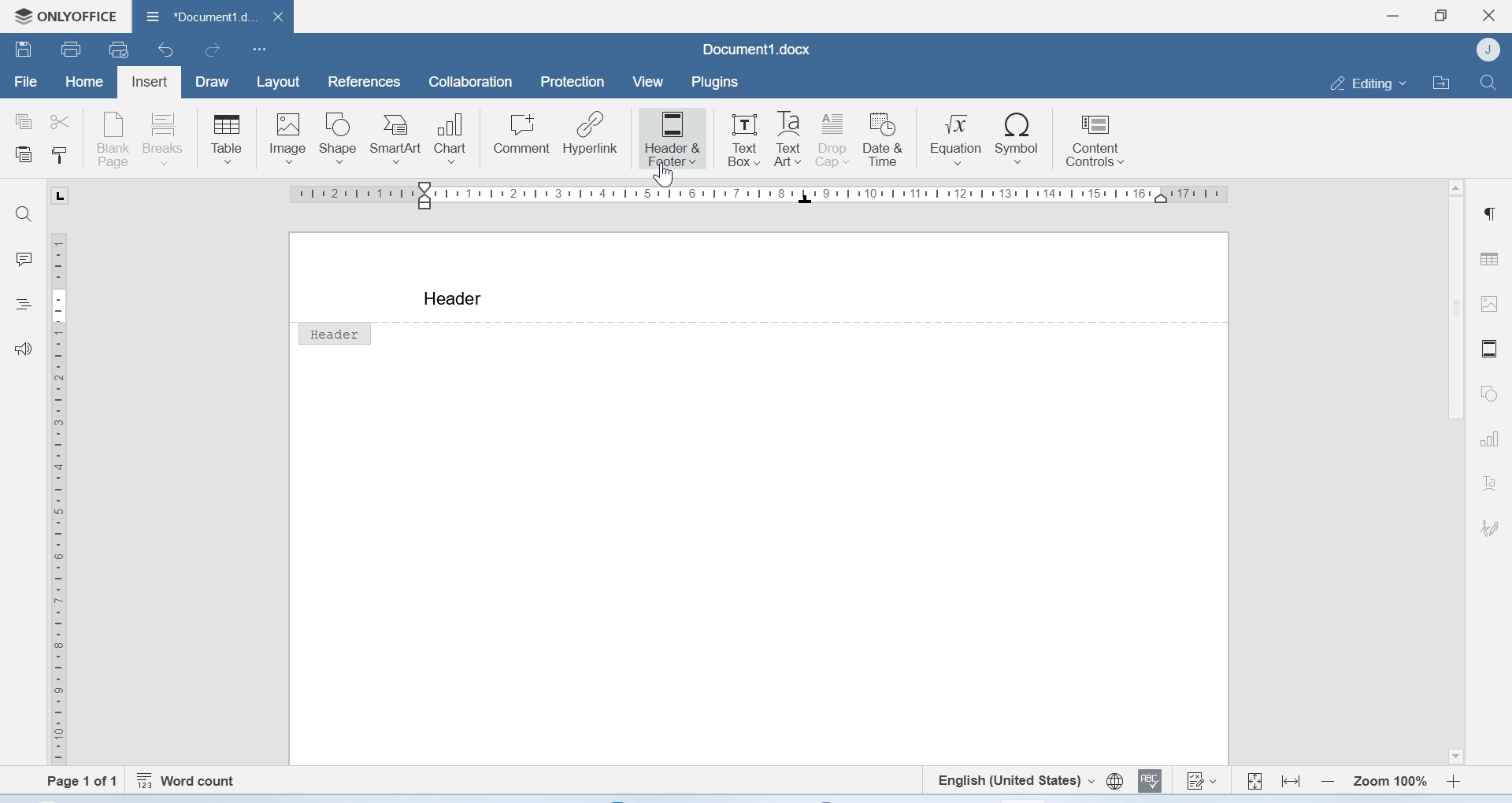 The image size is (1512, 803). I want to click on Set document language, so click(1114, 782).